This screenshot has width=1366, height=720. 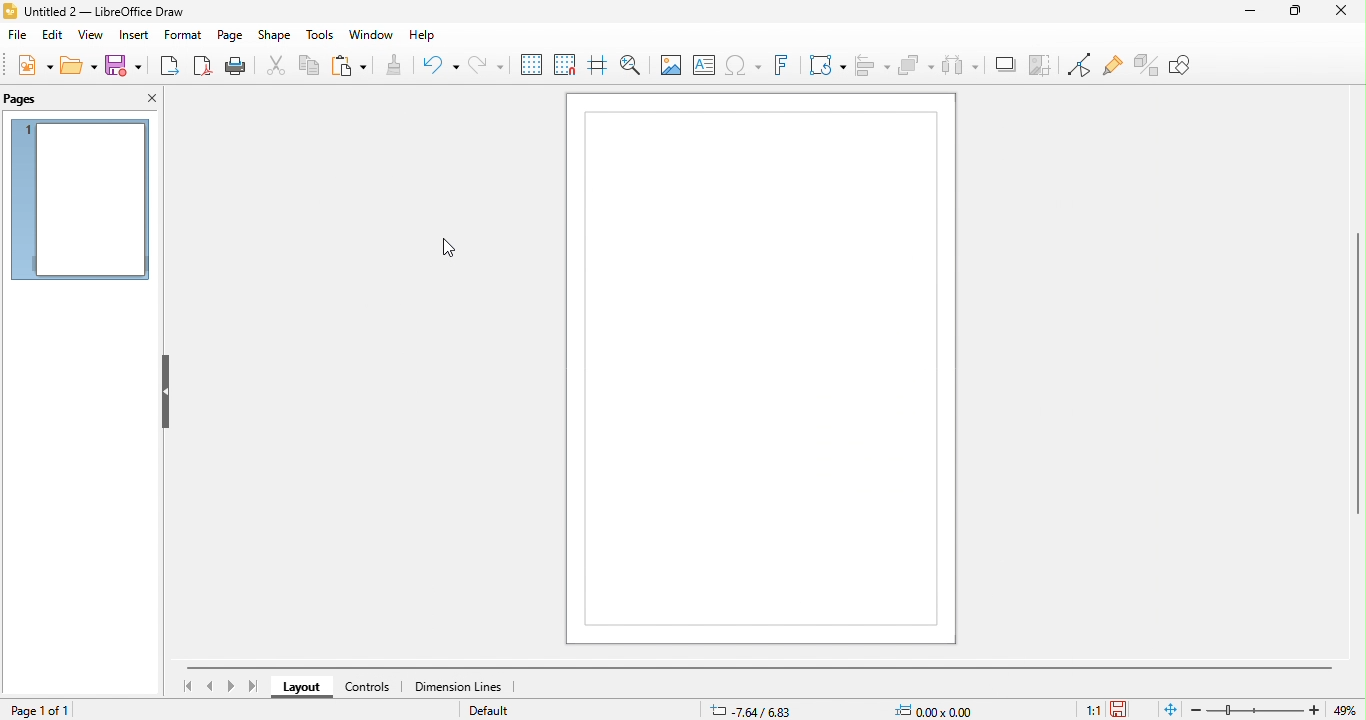 What do you see at coordinates (184, 684) in the screenshot?
I see `first page` at bounding box center [184, 684].